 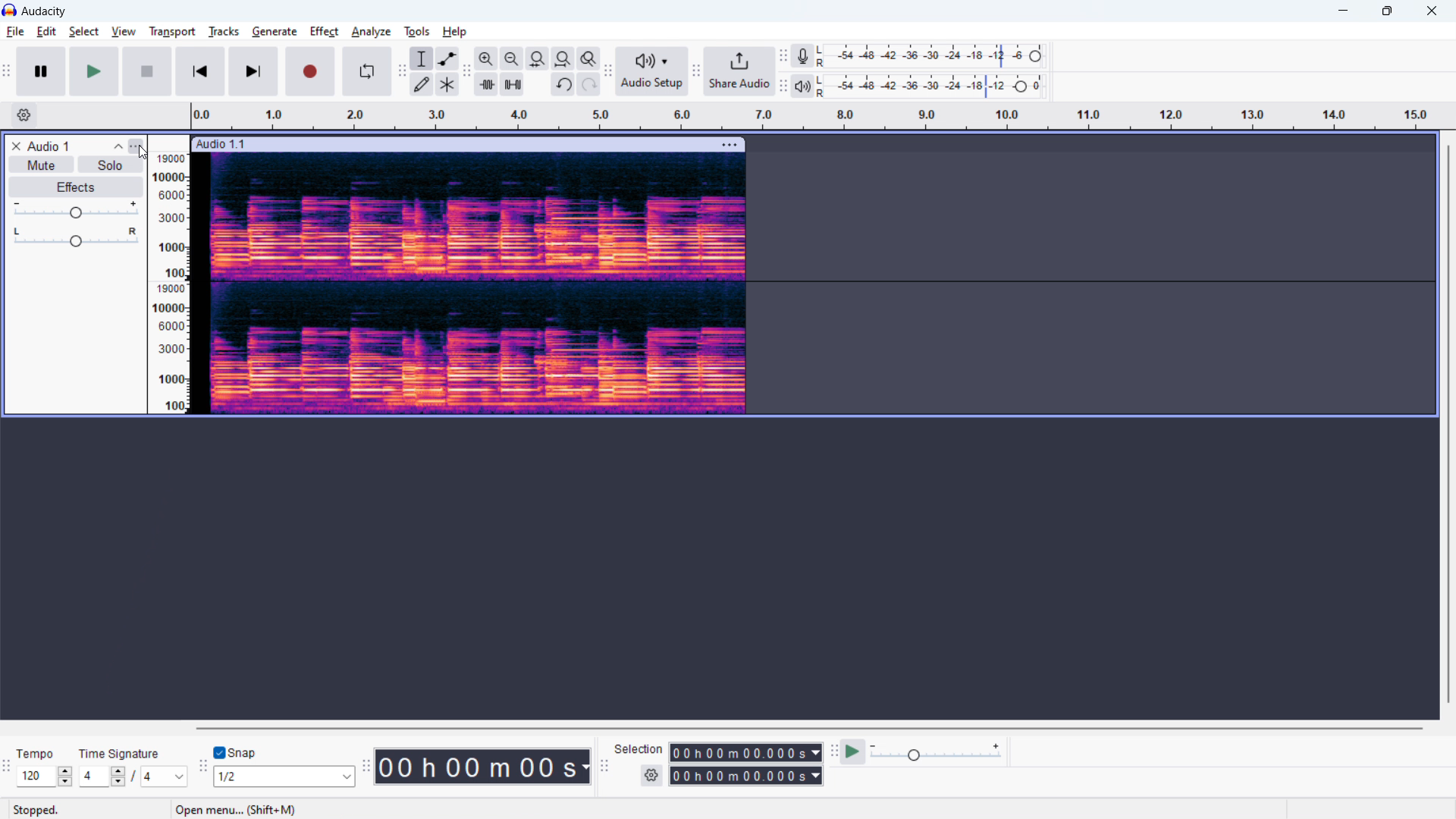 What do you see at coordinates (833, 752) in the screenshot?
I see `play at speed toolbar` at bounding box center [833, 752].